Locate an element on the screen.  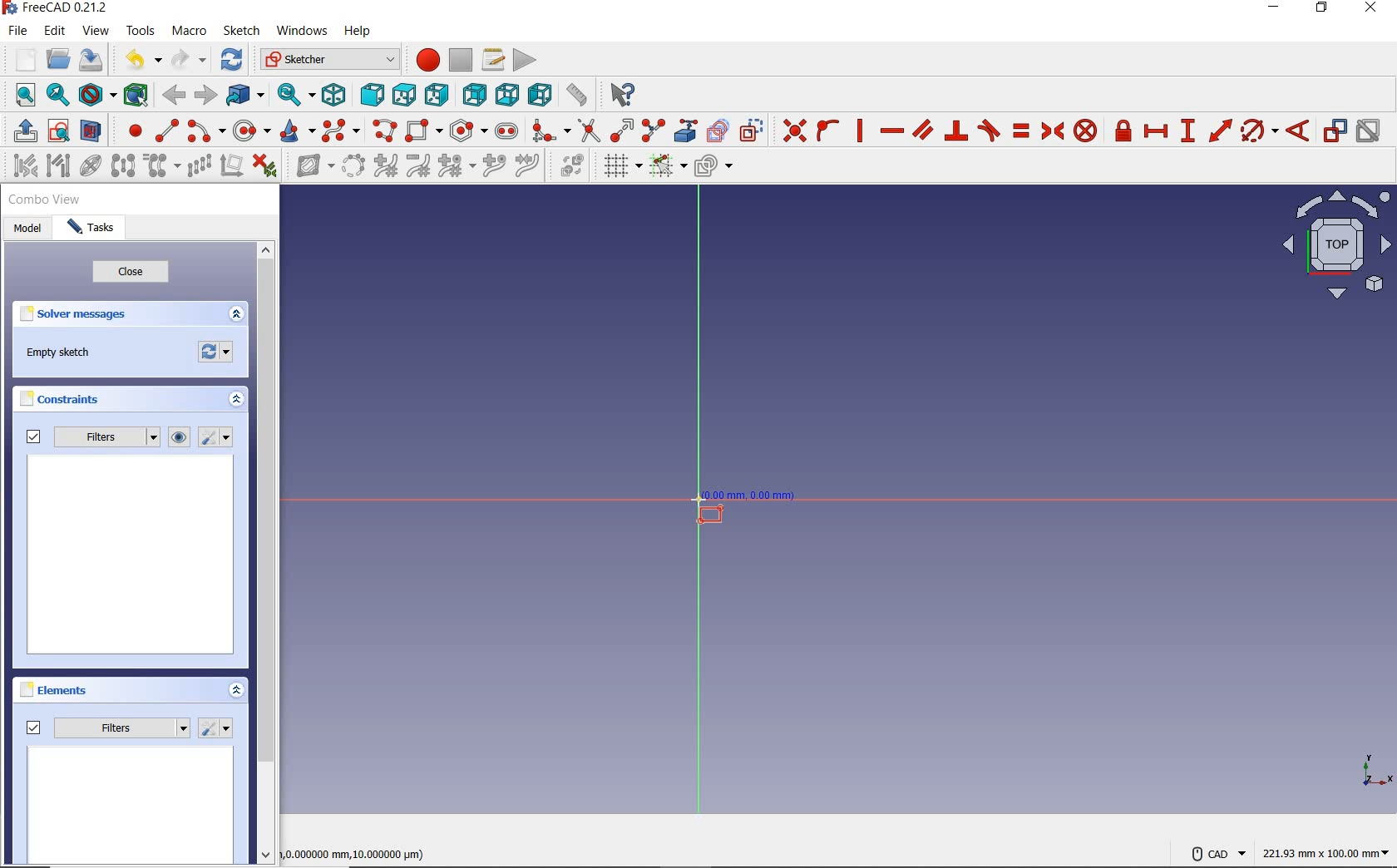
XYZ SCALE is located at coordinates (1376, 771).